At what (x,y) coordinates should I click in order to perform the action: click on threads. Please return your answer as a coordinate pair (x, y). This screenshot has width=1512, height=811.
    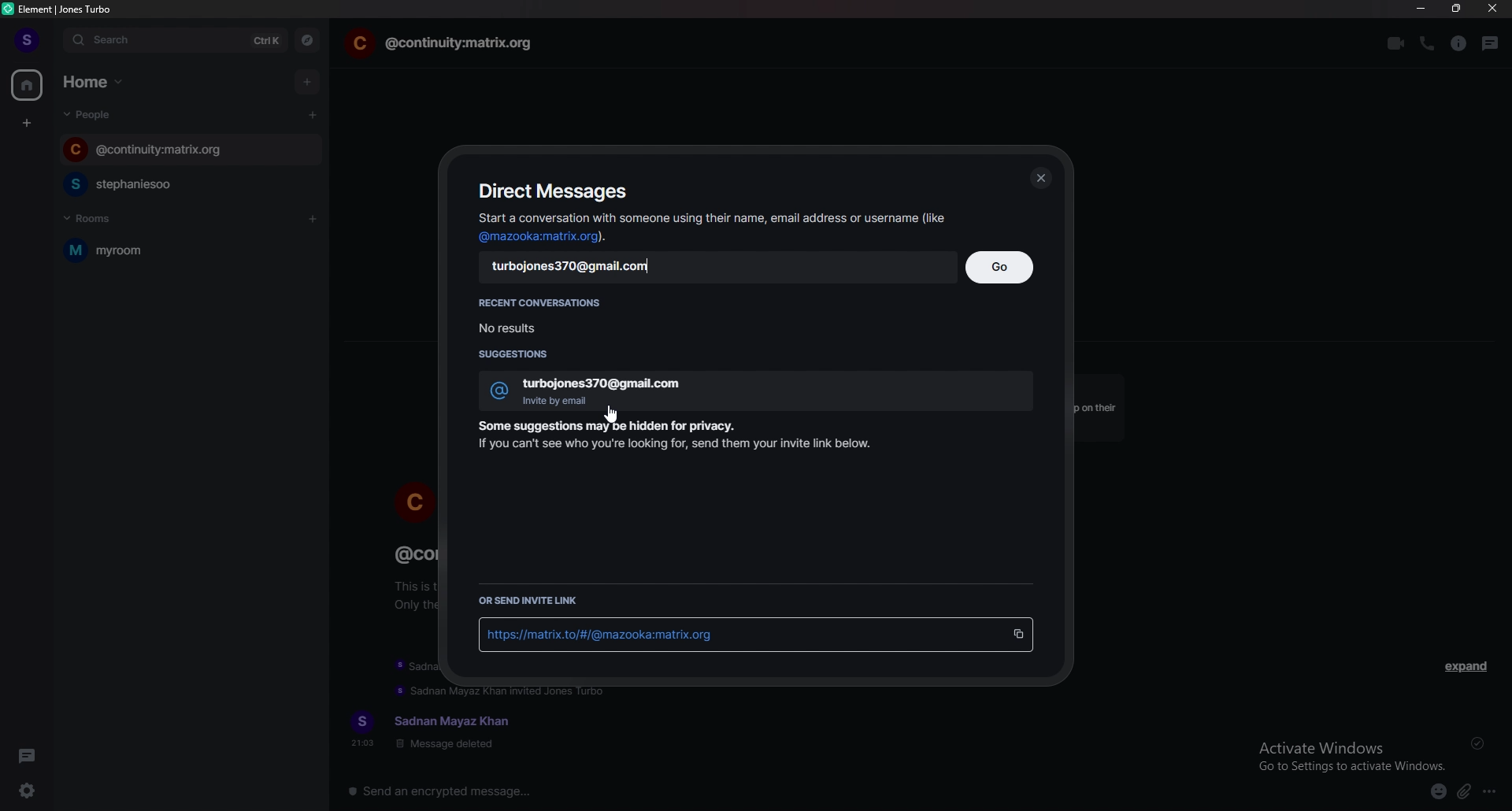
    Looking at the image, I should click on (28, 756).